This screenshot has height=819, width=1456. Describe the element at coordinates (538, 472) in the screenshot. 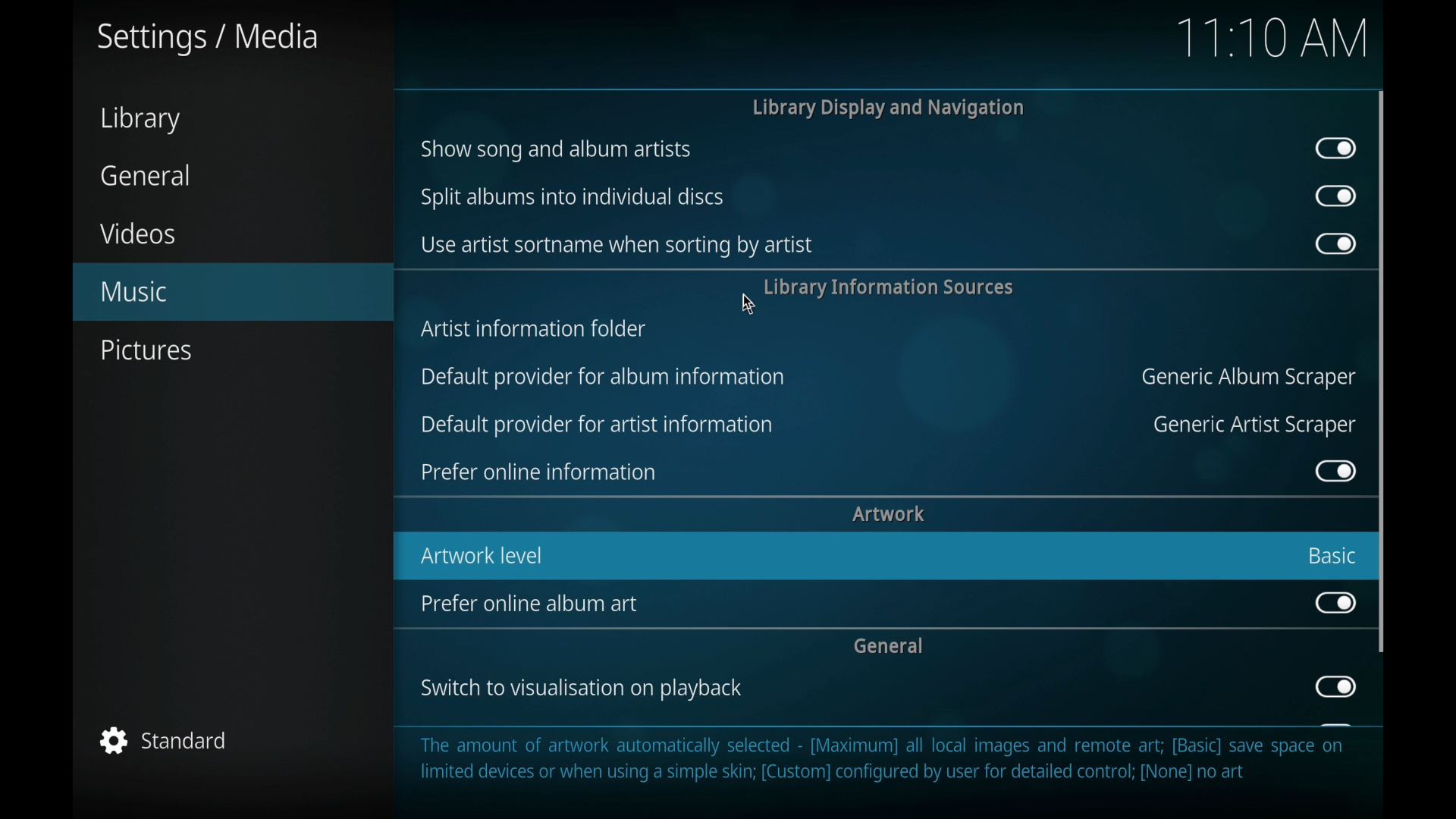

I see `prefer online information` at that location.